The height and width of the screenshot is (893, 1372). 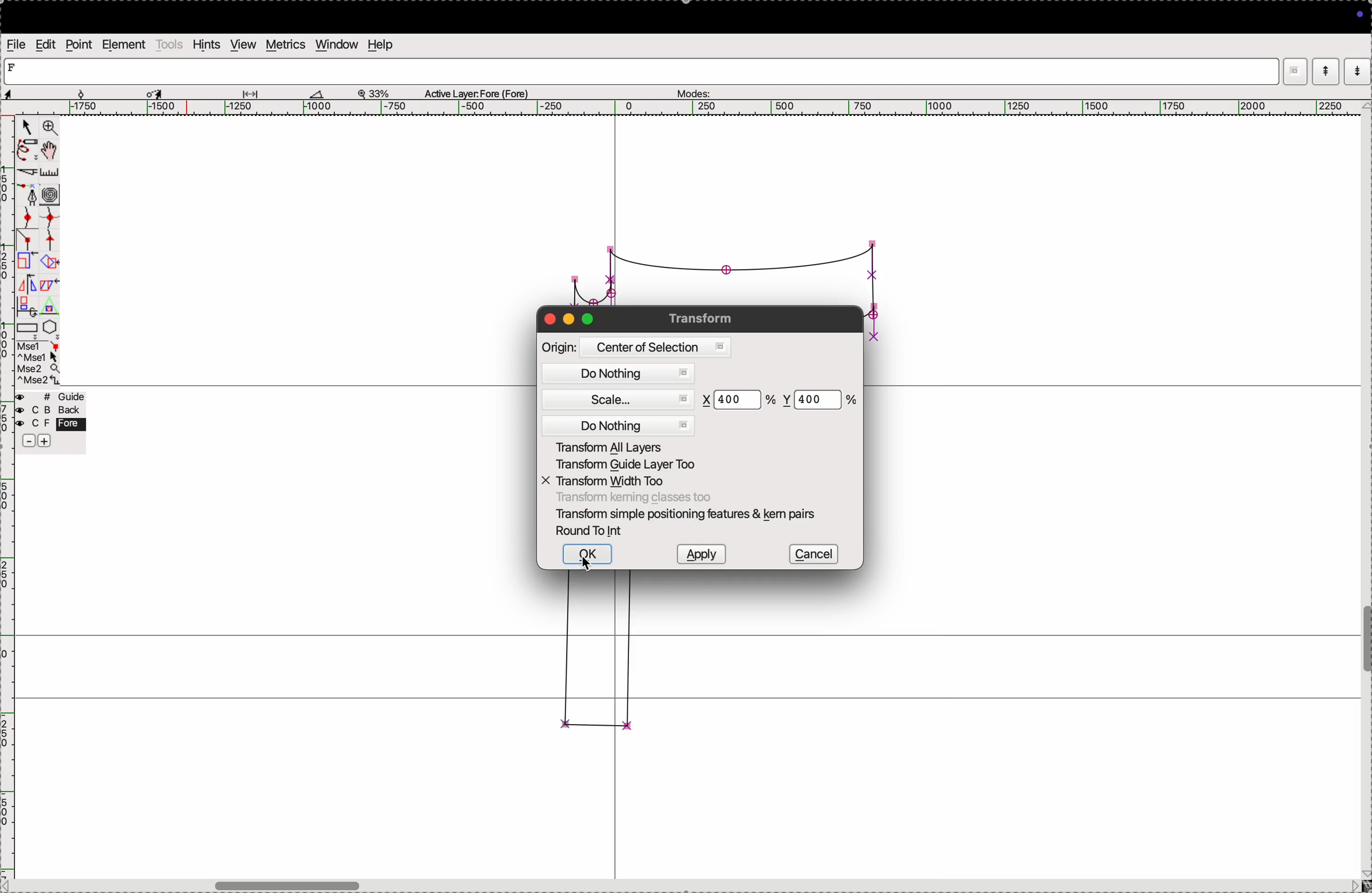 What do you see at coordinates (46, 443) in the screenshot?
I see `add` at bounding box center [46, 443].